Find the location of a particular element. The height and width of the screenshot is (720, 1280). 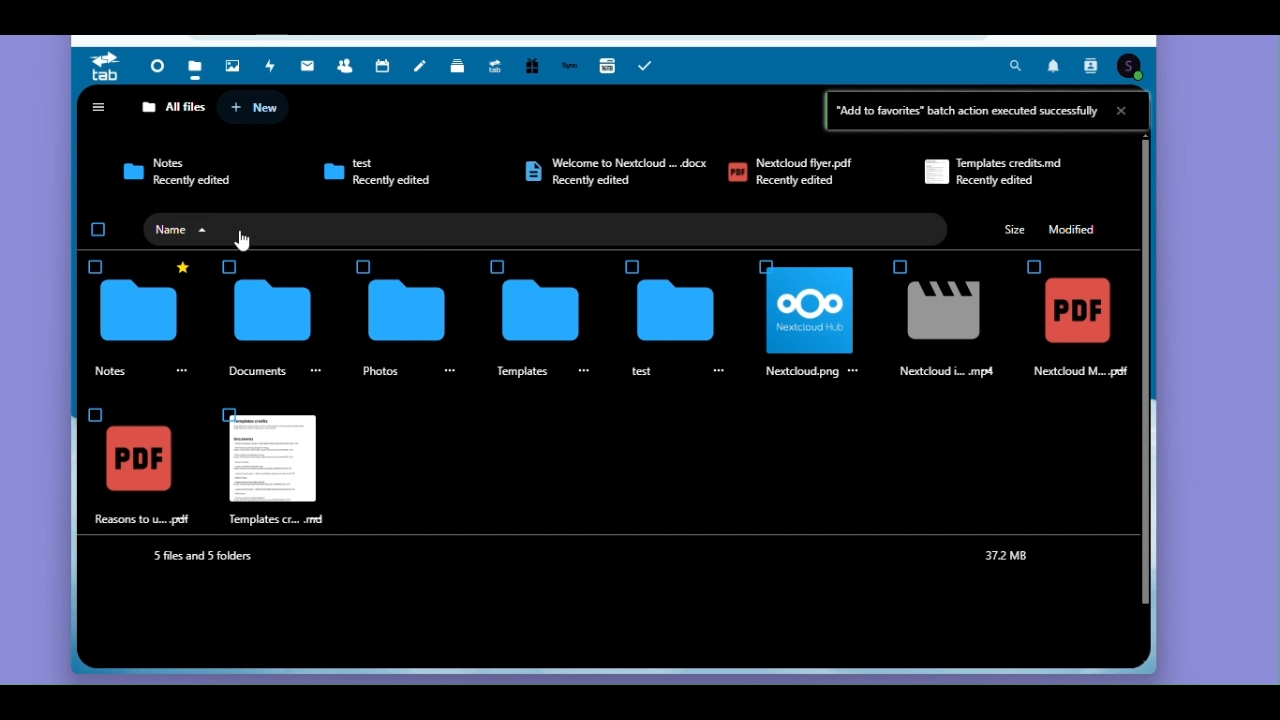

Tab is located at coordinates (109, 67).